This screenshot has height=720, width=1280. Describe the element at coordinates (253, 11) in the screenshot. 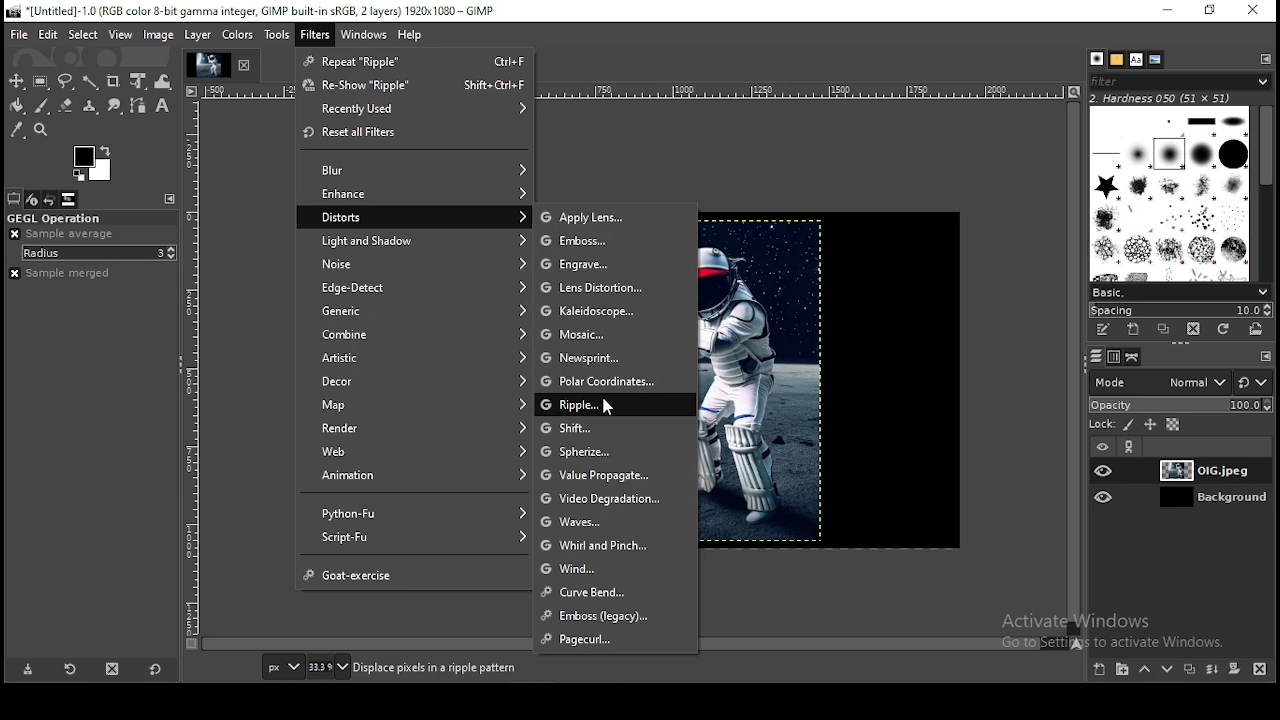

I see `icon and file name` at that location.